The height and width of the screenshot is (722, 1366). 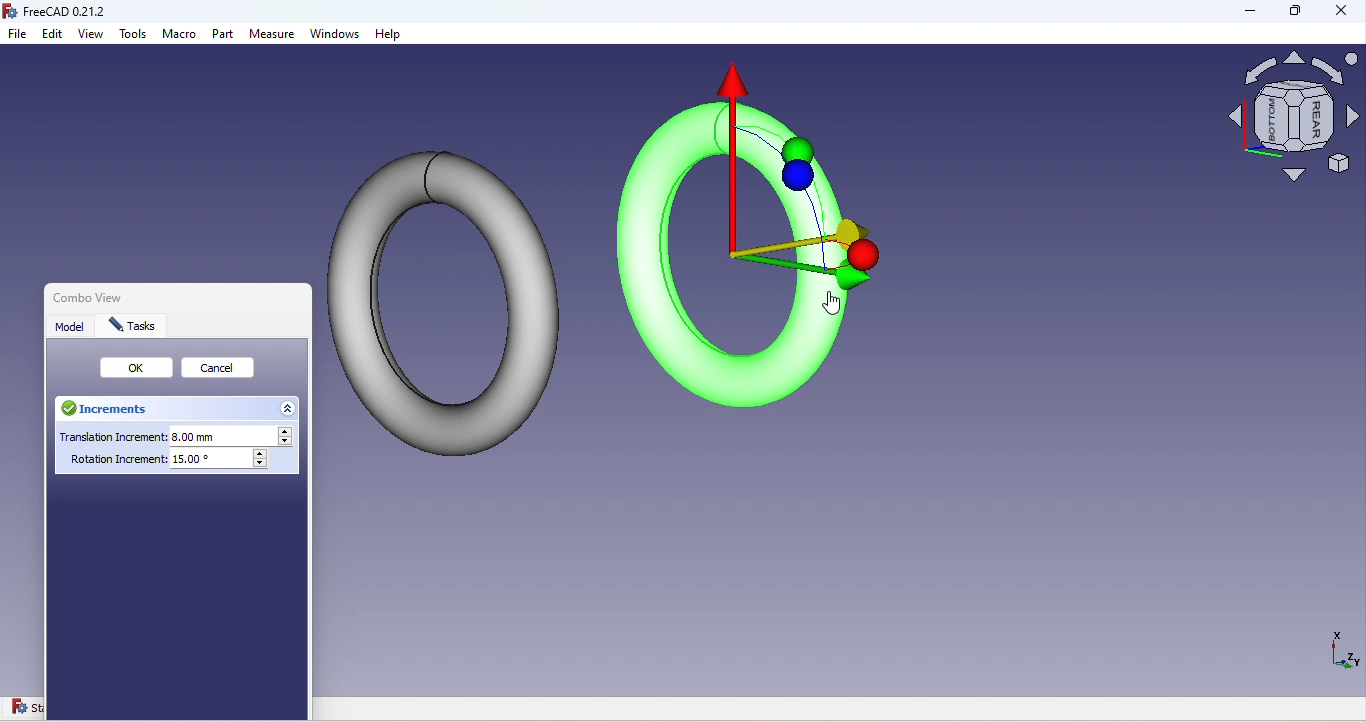 What do you see at coordinates (1293, 15) in the screenshot?
I see `Maximize` at bounding box center [1293, 15].